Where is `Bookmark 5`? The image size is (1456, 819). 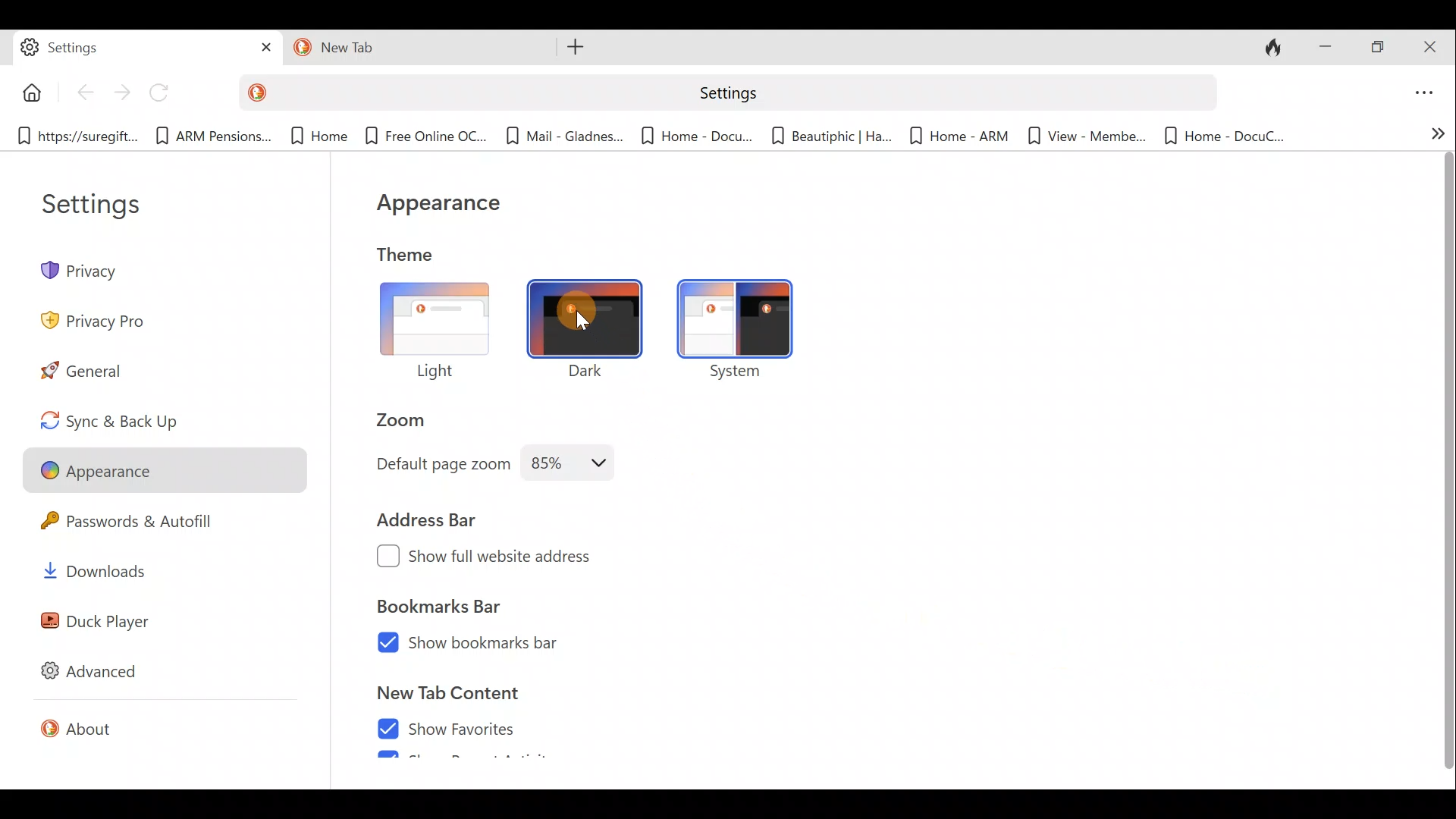
Bookmark 5 is located at coordinates (563, 138).